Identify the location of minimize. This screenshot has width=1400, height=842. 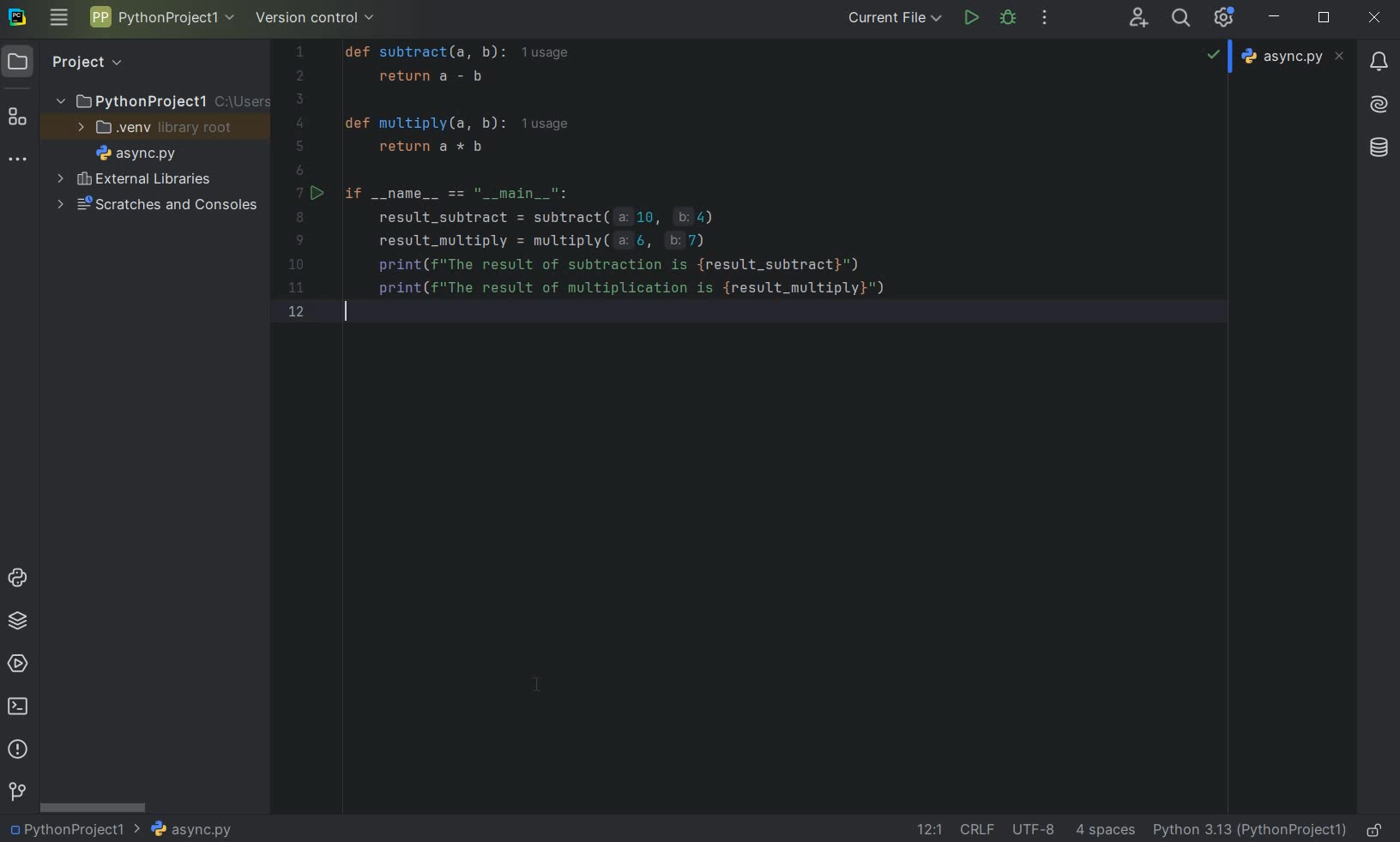
(1274, 17).